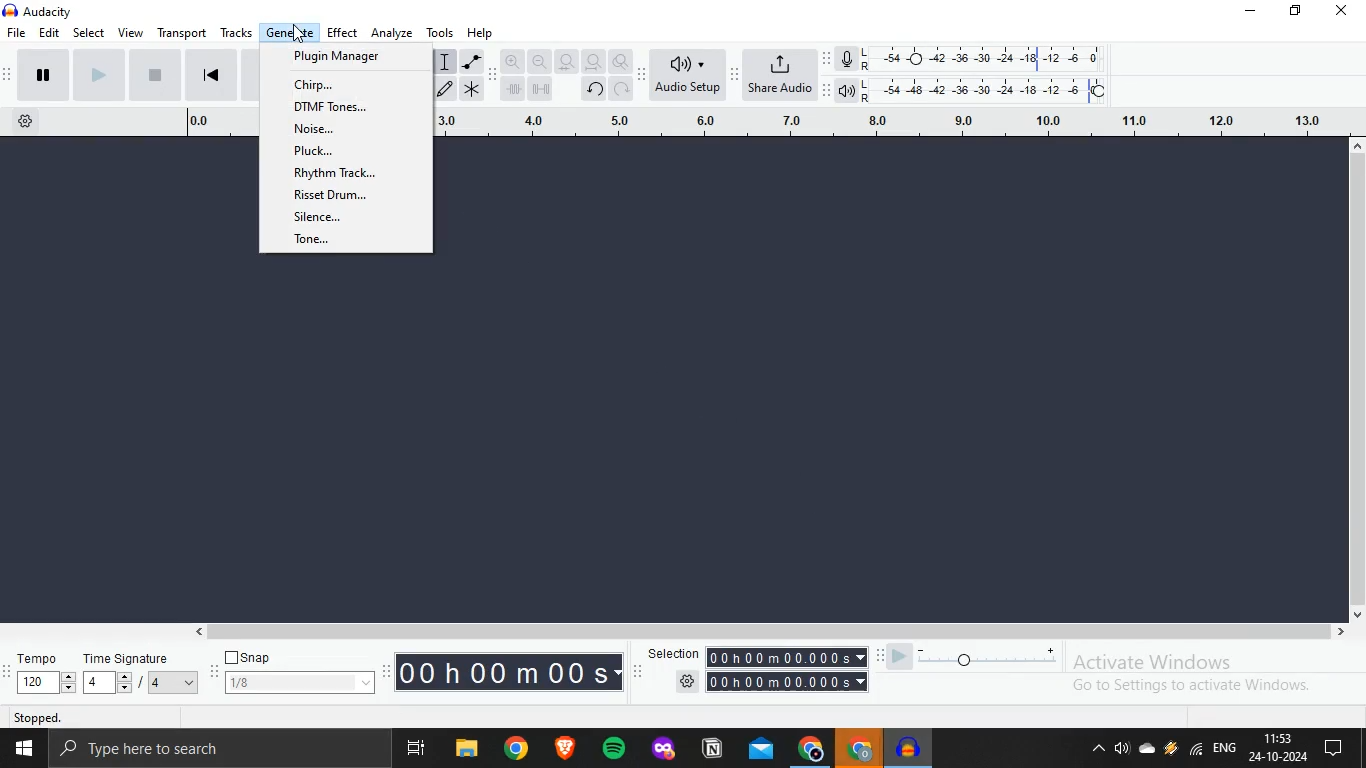 This screenshot has height=768, width=1366. What do you see at coordinates (392, 31) in the screenshot?
I see `Analyze` at bounding box center [392, 31].